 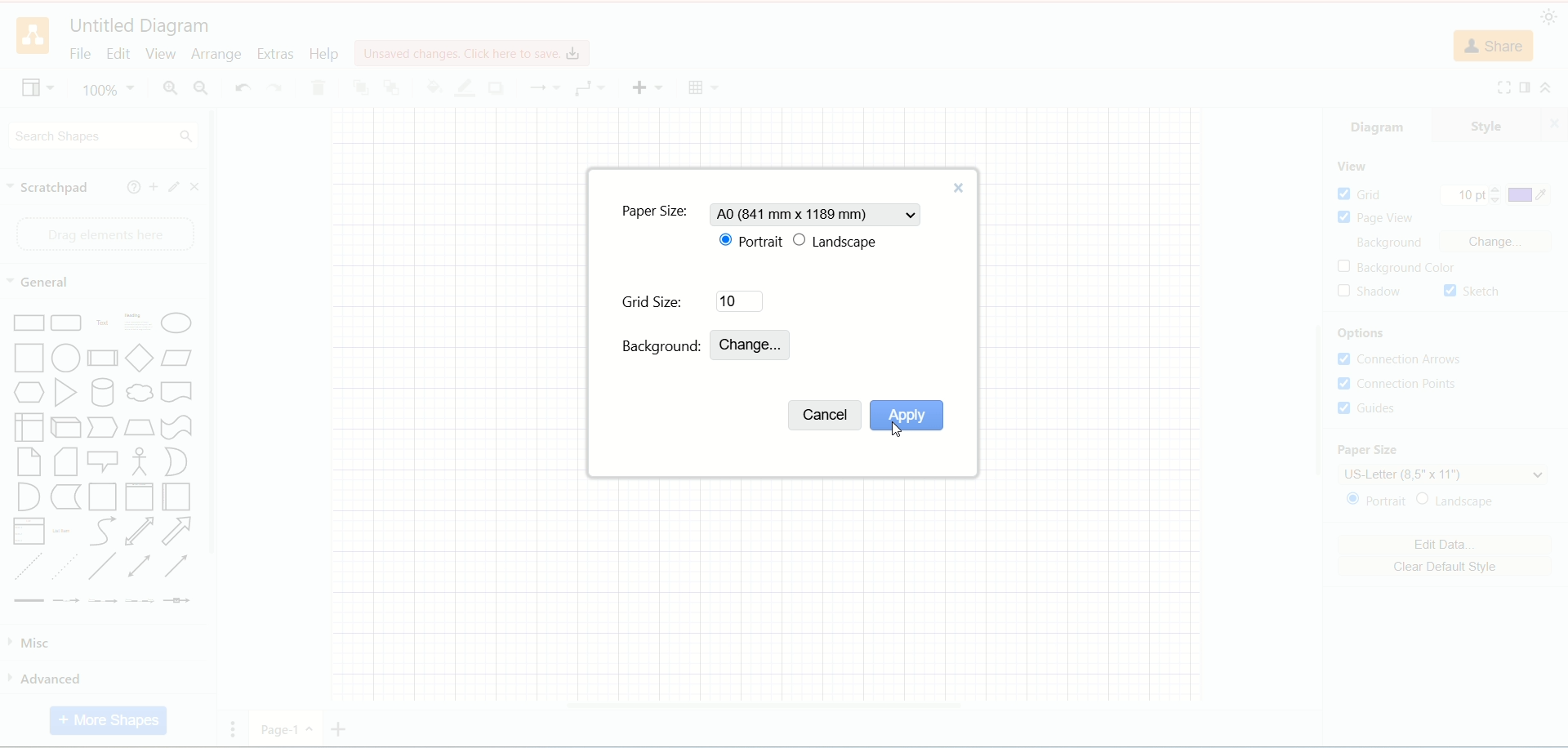 I want to click on shadow, so click(x=494, y=87).